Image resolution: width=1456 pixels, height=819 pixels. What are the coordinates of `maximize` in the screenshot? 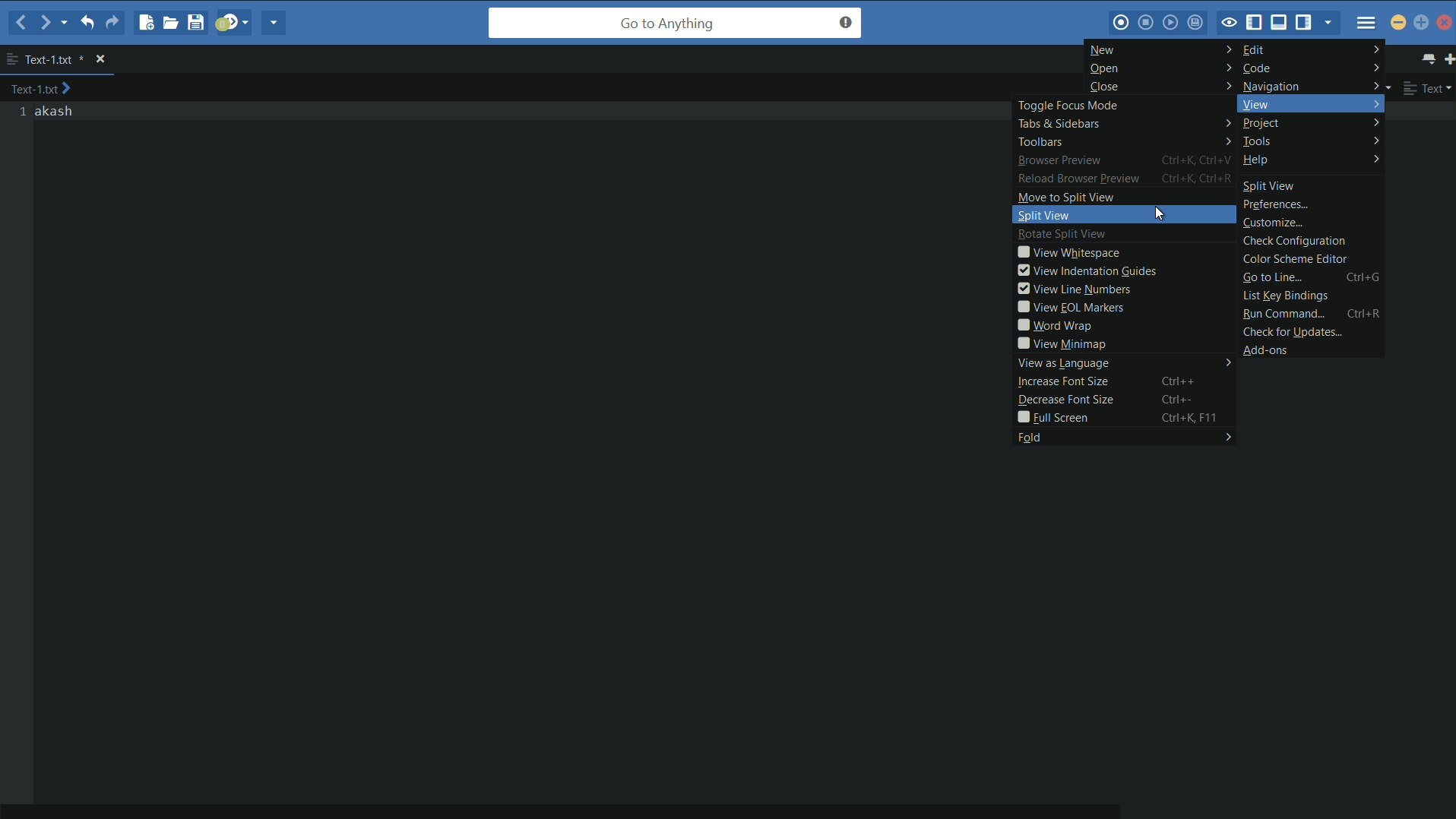 It's located at (1422, 24).